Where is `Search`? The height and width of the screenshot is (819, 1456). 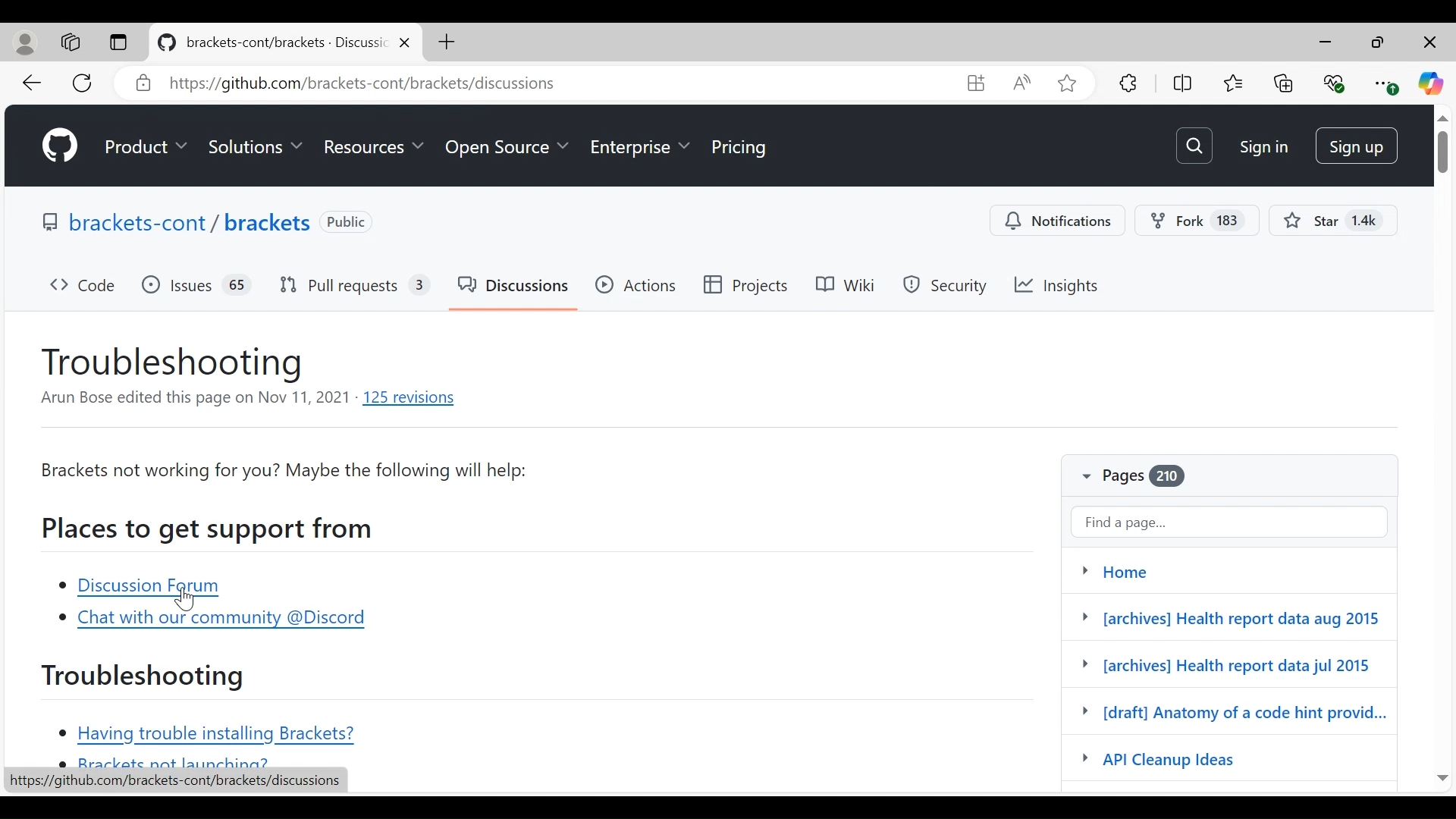 Search is located at coordinates (1194, 145).